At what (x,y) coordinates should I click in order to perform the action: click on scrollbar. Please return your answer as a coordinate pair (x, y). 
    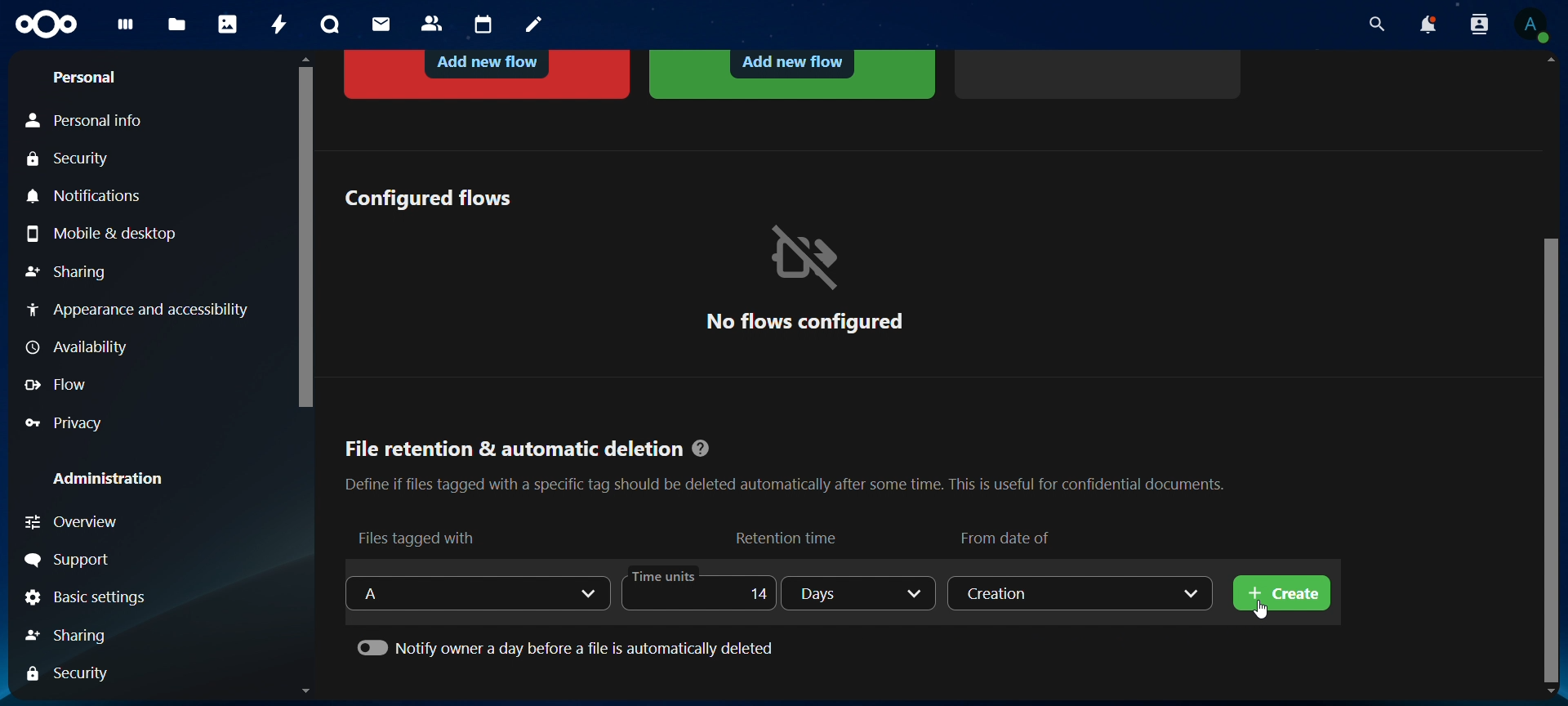
    Looking at the image, I should click on (302, 233).